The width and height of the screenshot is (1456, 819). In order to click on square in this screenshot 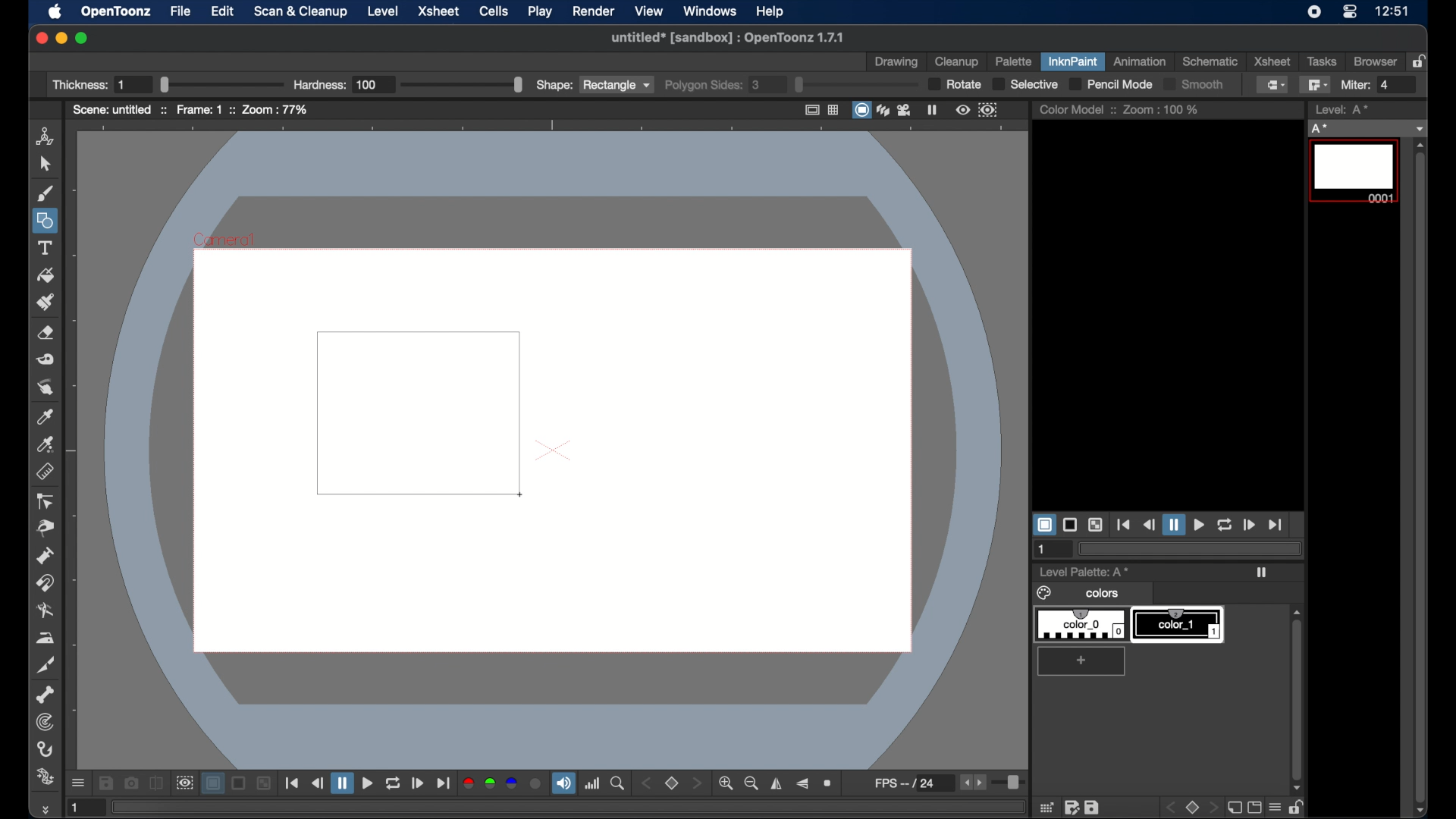, I will do `click(442, 424)`.